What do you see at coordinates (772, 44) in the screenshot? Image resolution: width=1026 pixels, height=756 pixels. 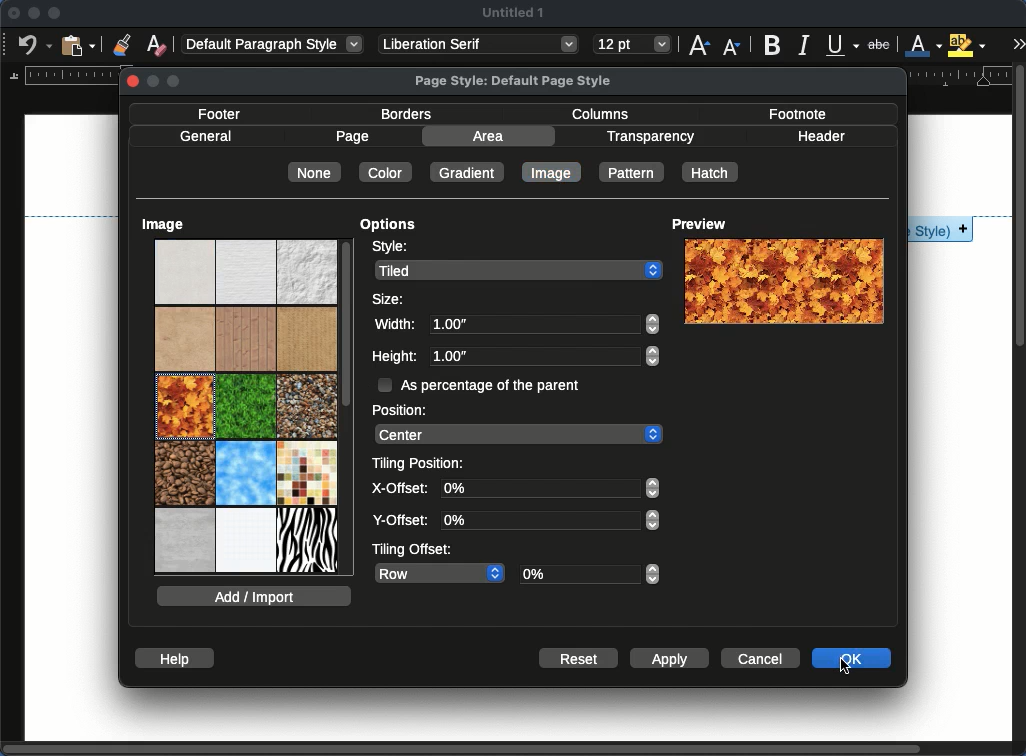 I see `bold` at bounding box center [772, 44].